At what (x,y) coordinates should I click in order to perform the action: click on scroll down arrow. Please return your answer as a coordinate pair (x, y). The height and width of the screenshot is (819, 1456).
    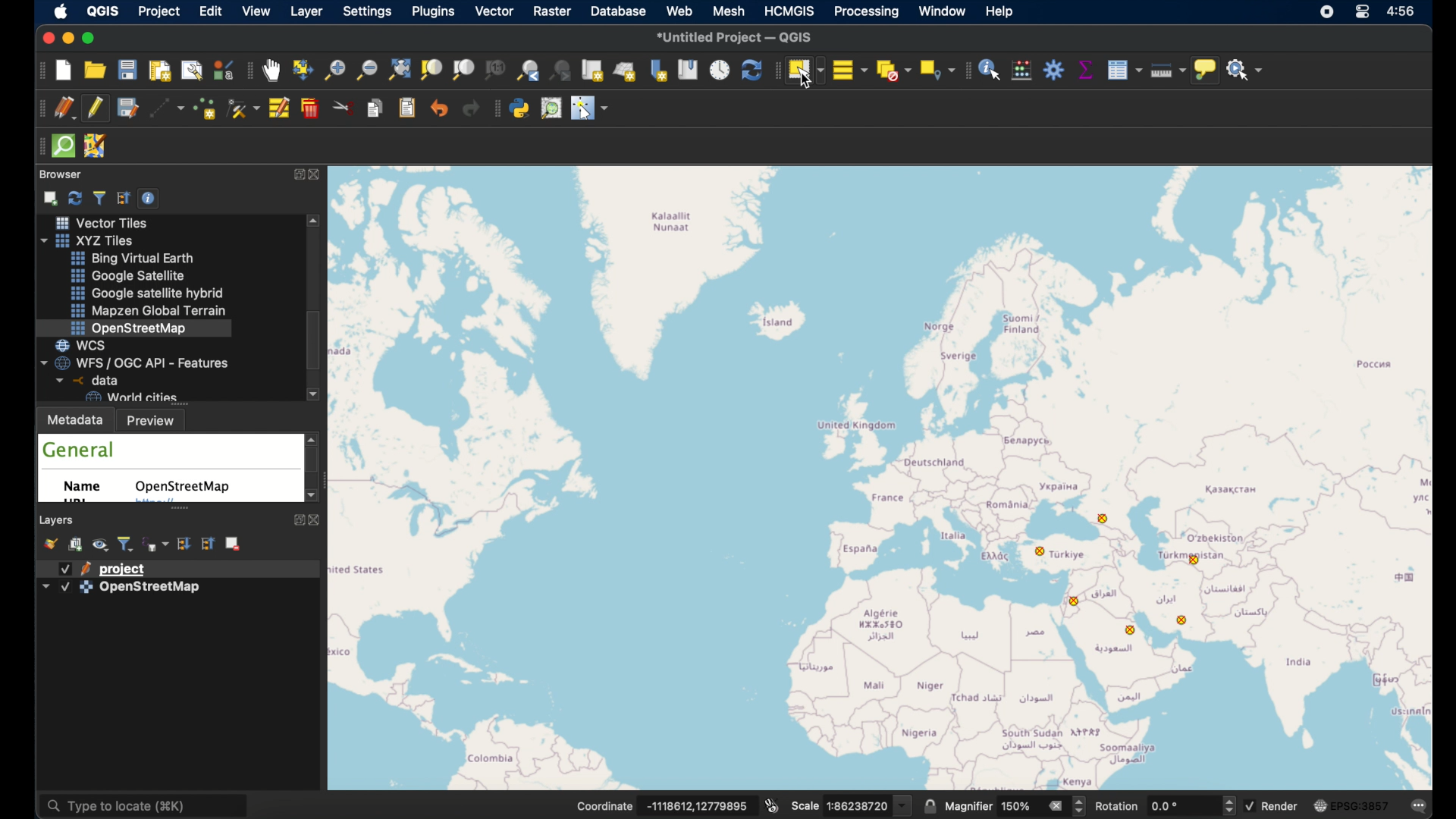
    Looking at the image, I should click on (309, 497).